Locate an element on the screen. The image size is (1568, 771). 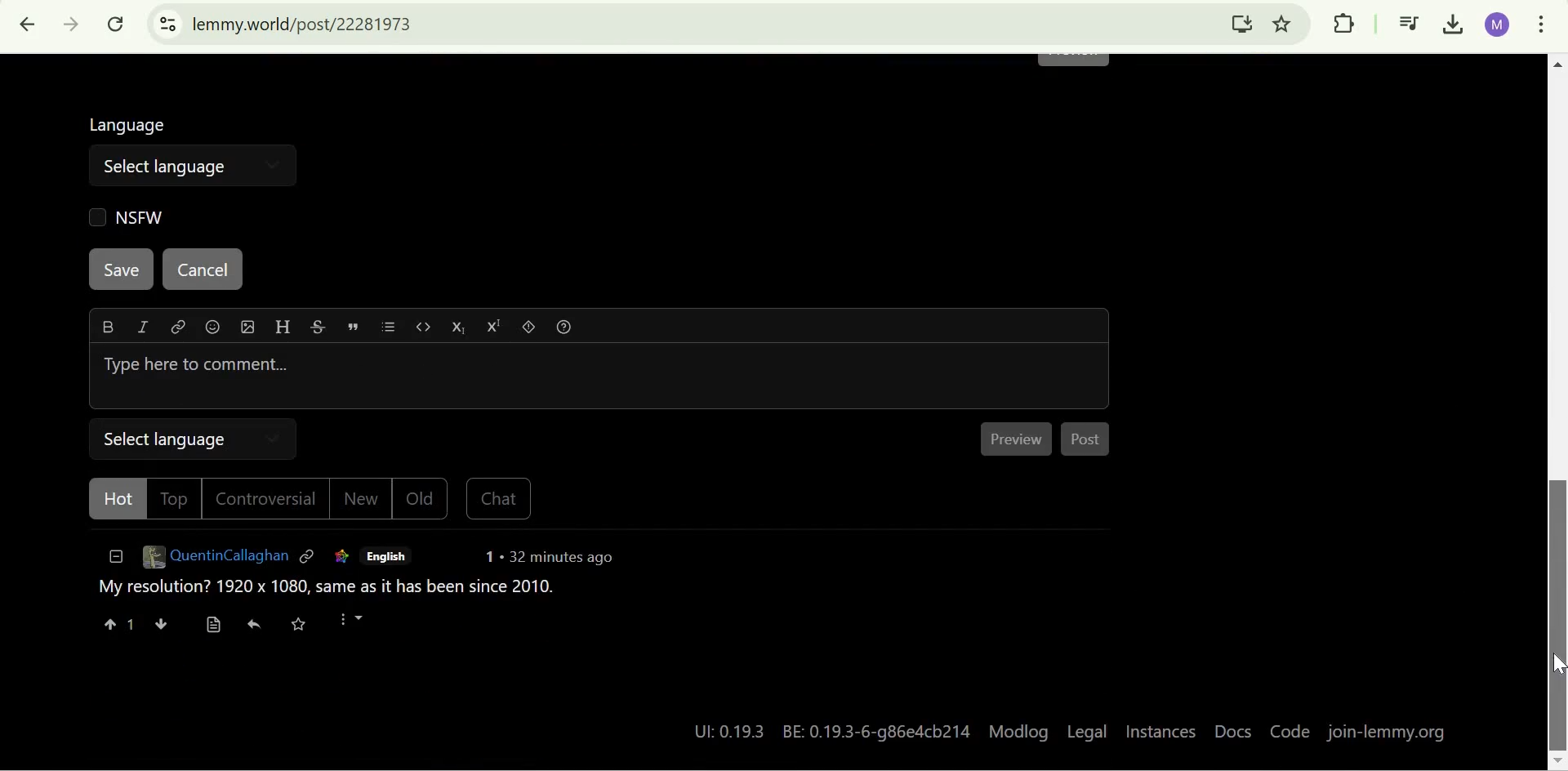
reply is located at coordinates (256, 627).